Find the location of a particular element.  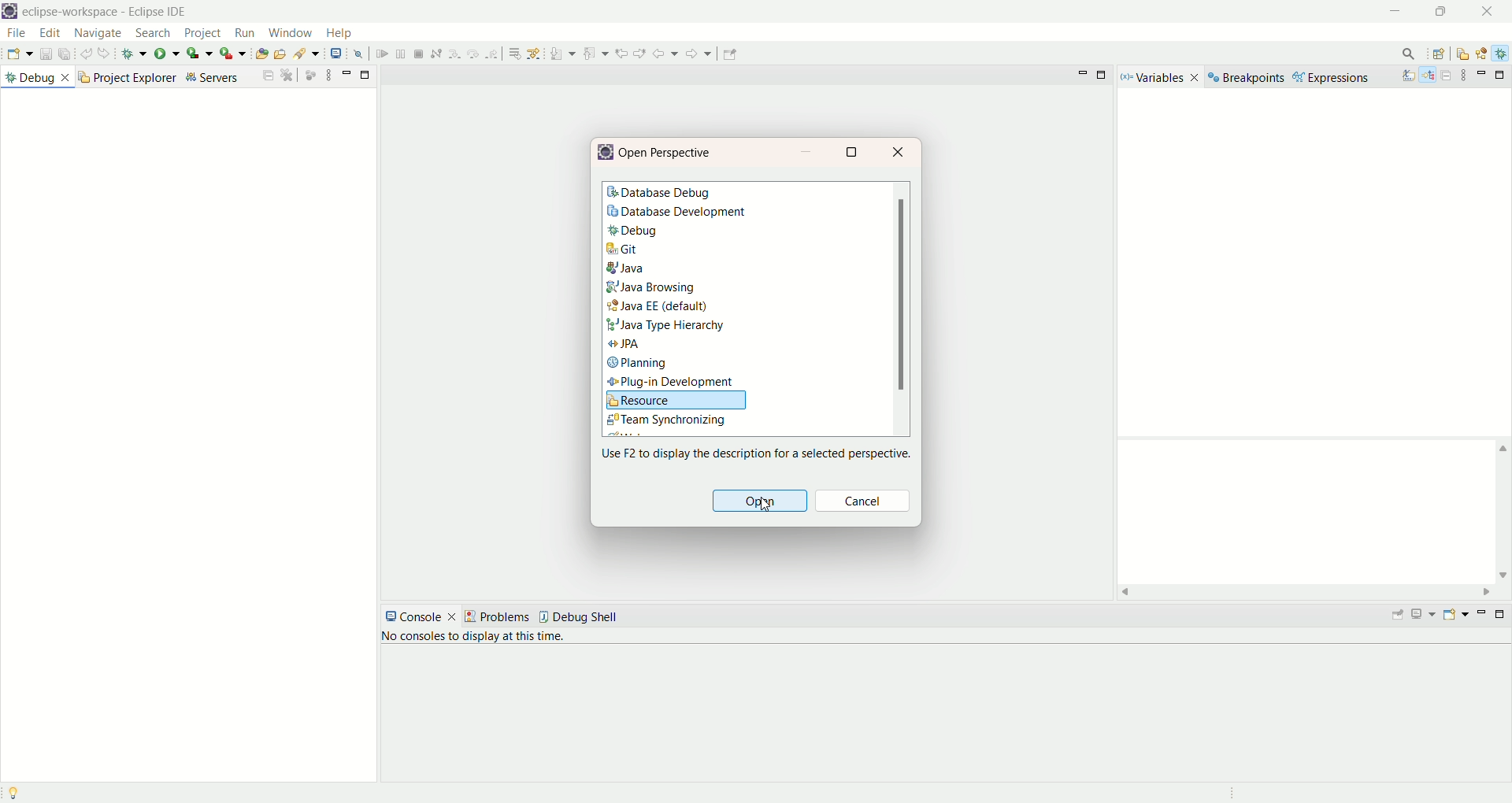

debug shell is located at coordinates (587, 618).